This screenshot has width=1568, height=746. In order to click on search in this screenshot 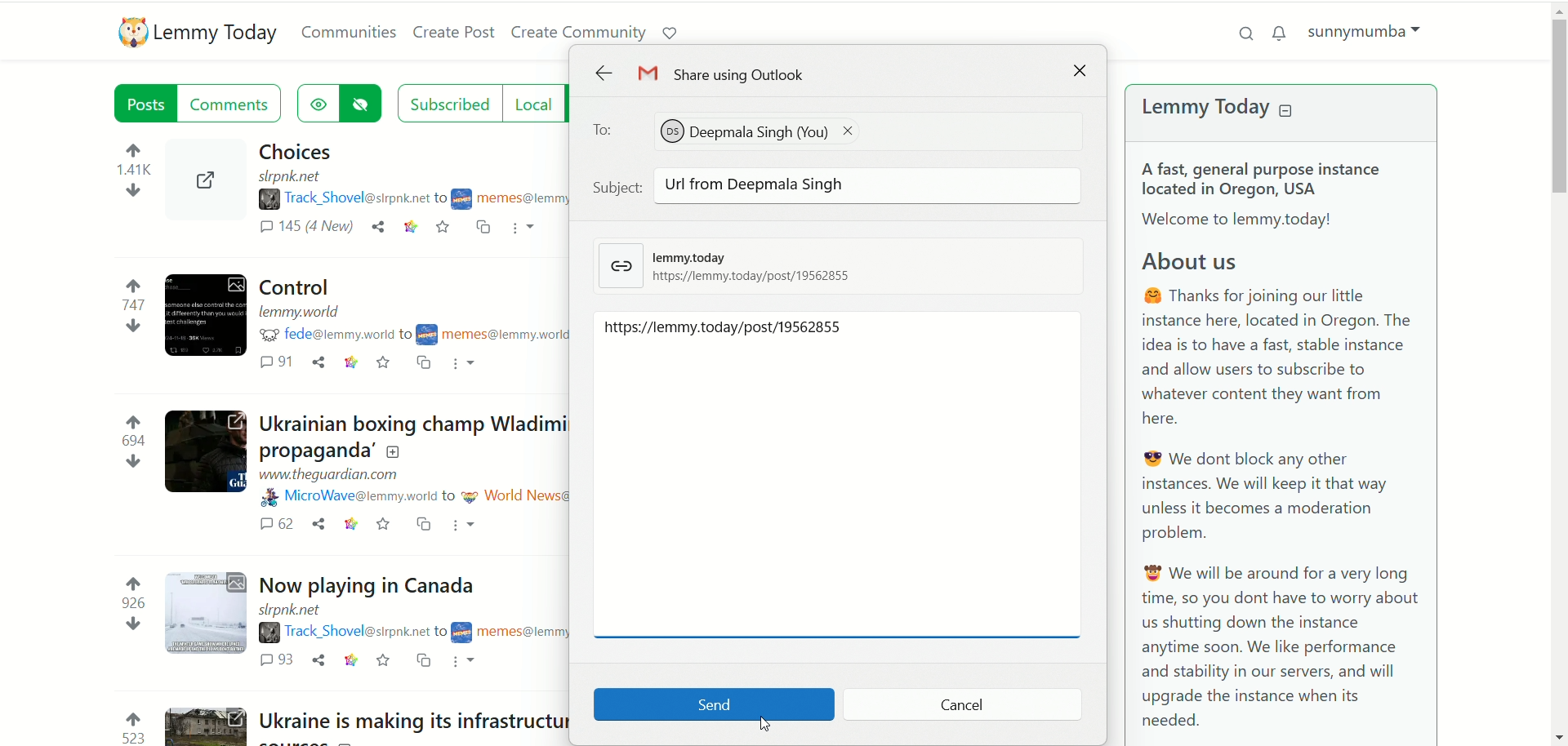, I will do `click(1239, 33)`.